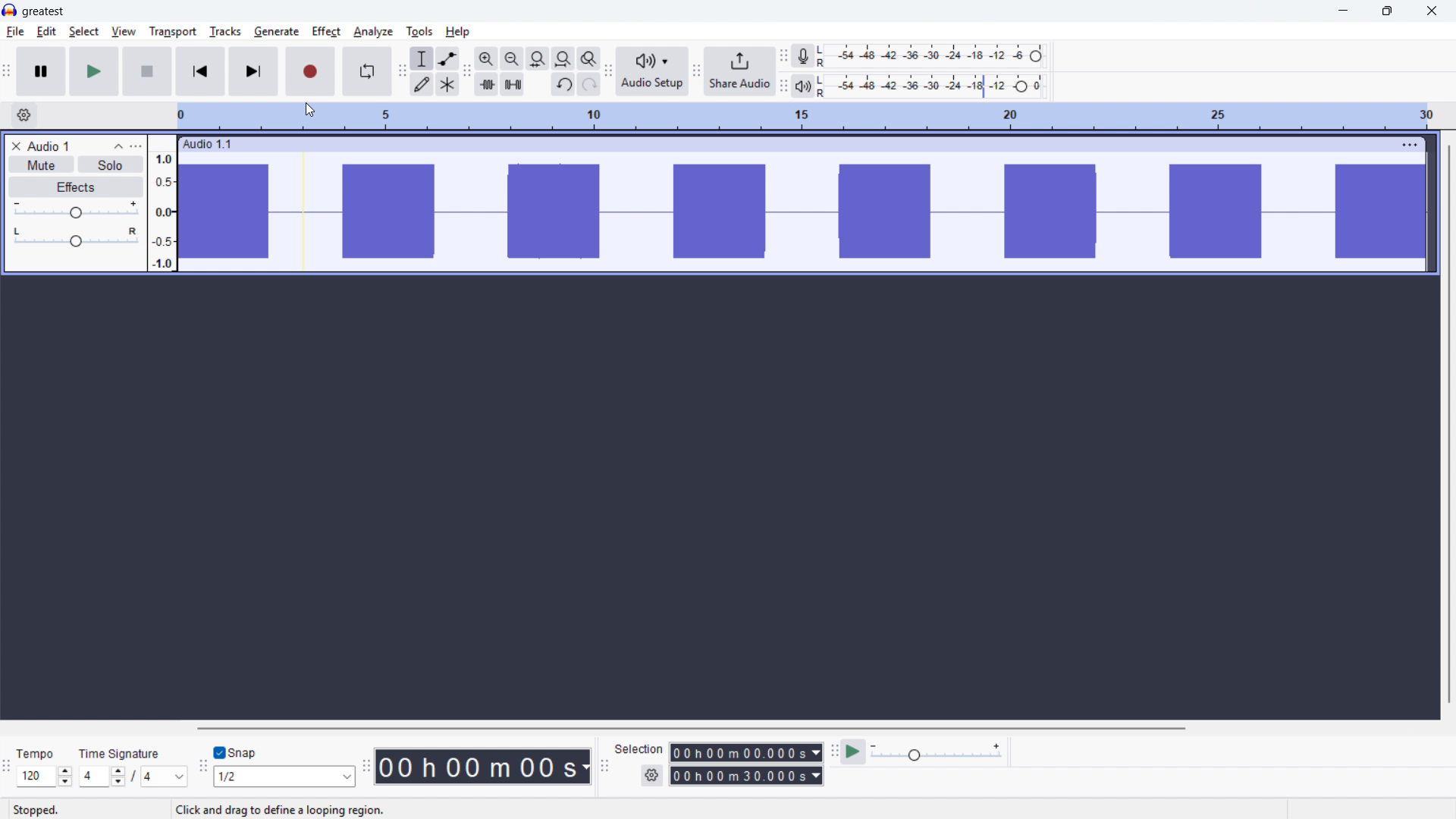 The width and height of the screenshot is (1456, 819). Describe the element at coordinates (94, 71) in the screenshot. I see `play` at that location.